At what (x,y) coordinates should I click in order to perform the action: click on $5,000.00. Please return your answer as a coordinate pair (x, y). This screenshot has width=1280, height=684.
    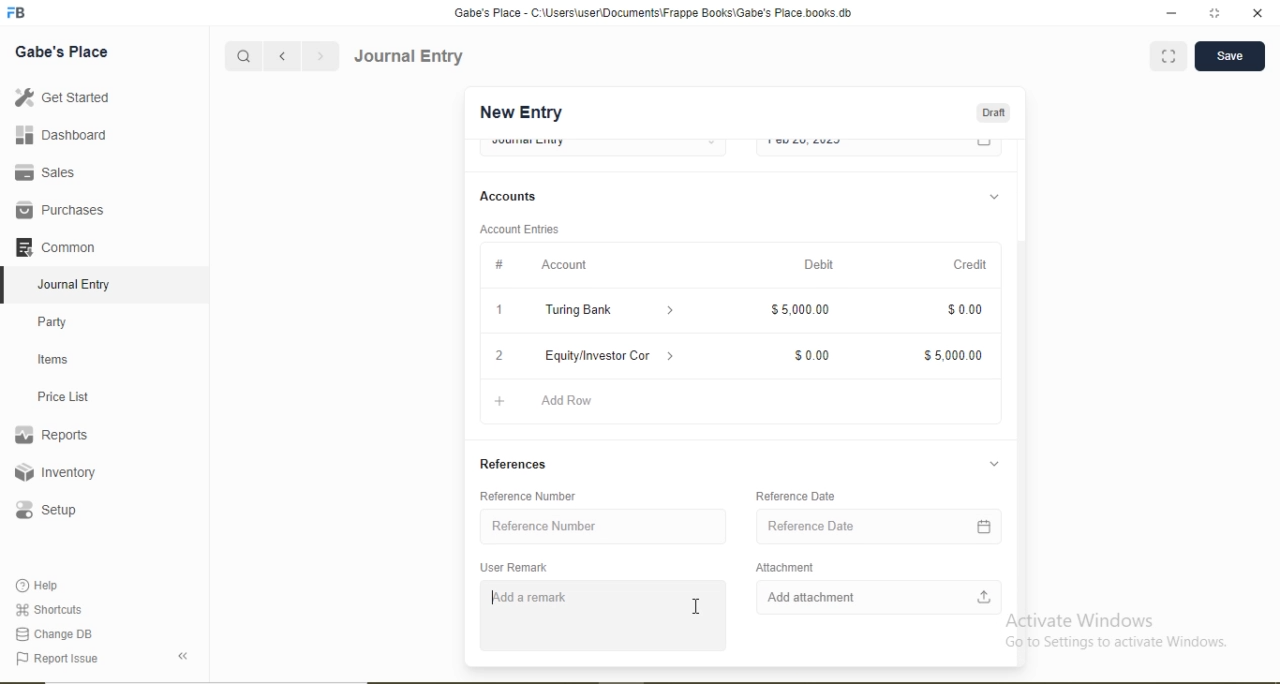
    Looking at the image, I should click on (800, 308).